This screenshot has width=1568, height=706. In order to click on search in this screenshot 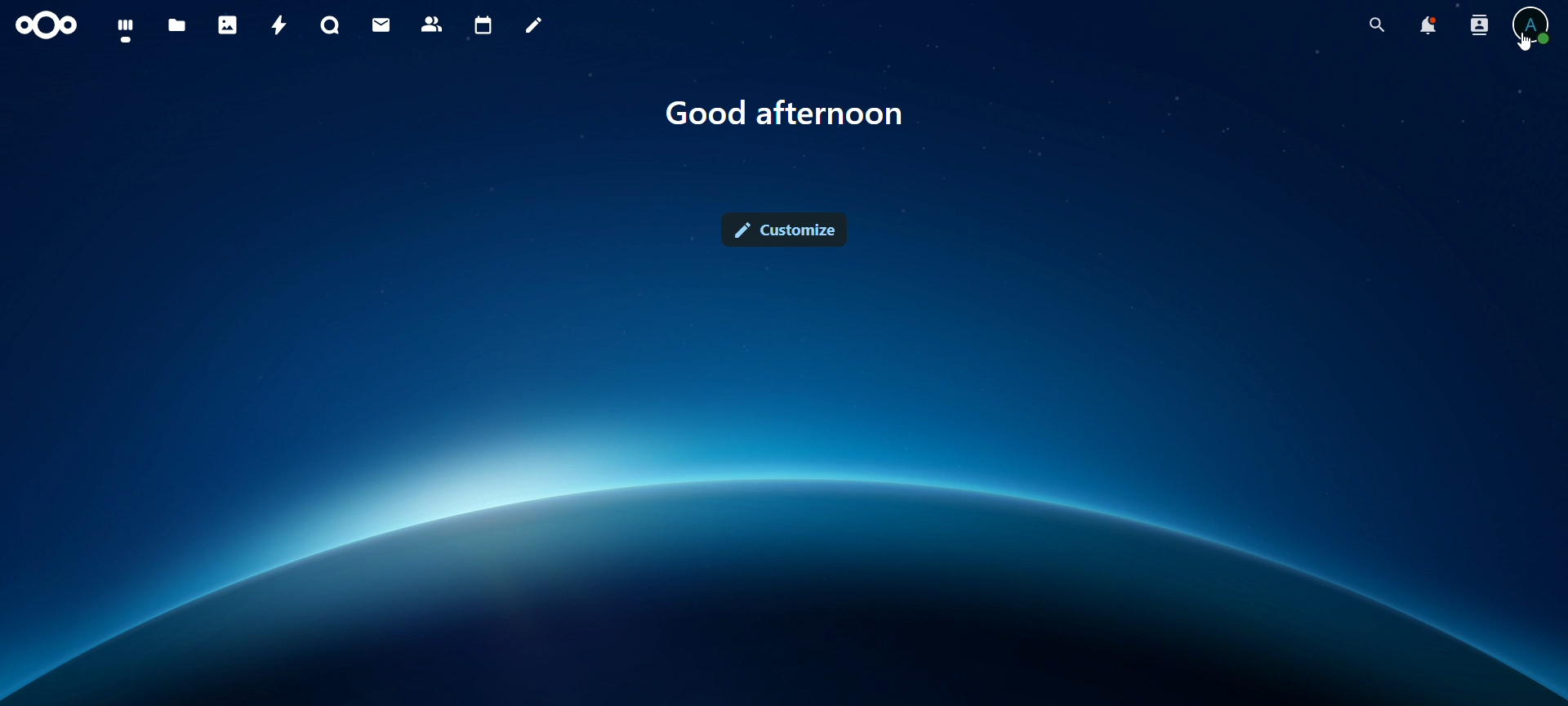, I will do `click(1376, 25)`.